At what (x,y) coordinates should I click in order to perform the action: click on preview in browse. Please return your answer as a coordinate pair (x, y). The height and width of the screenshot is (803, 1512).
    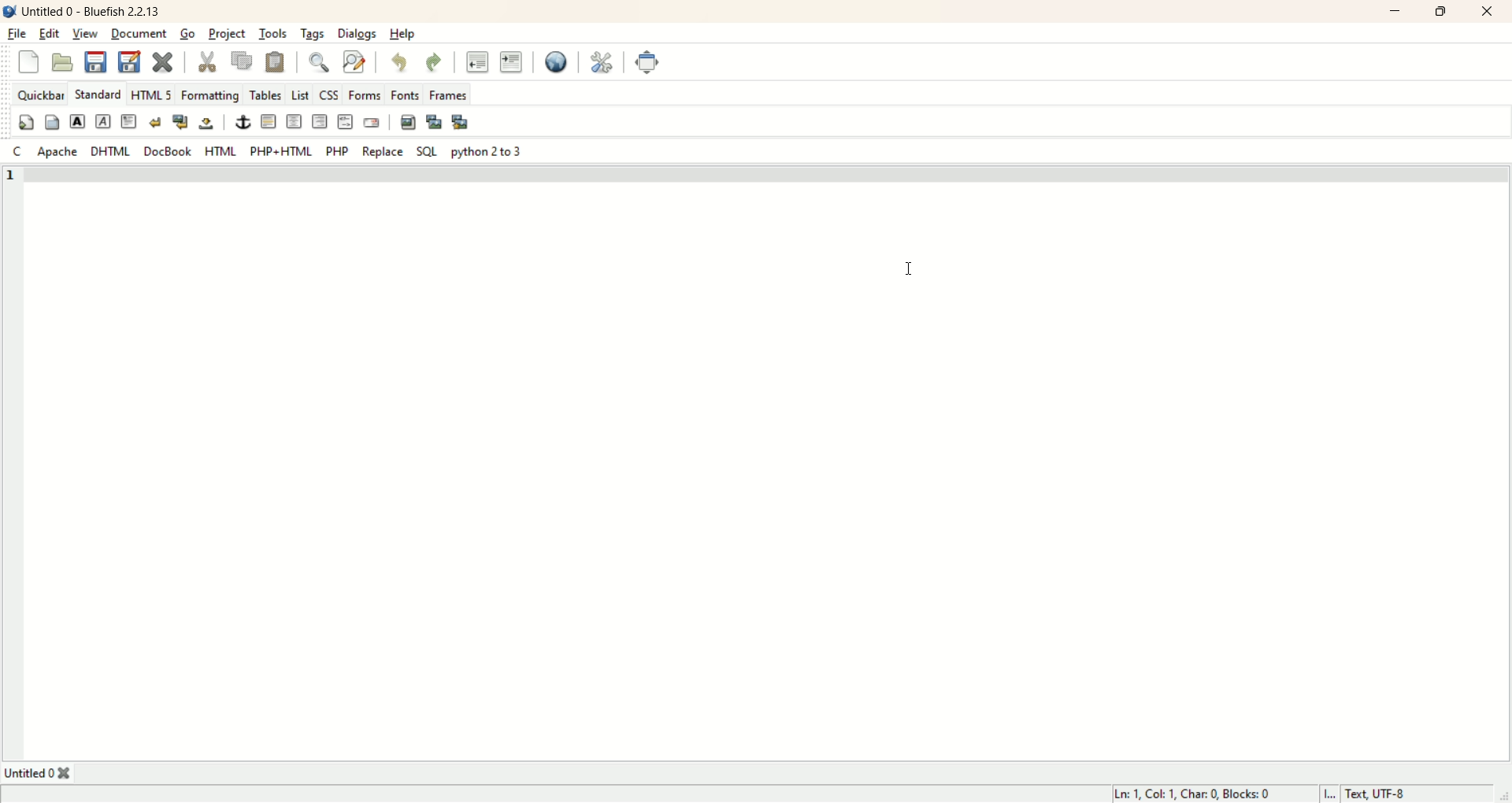
    Looking at the image, I should click on (558, 61).